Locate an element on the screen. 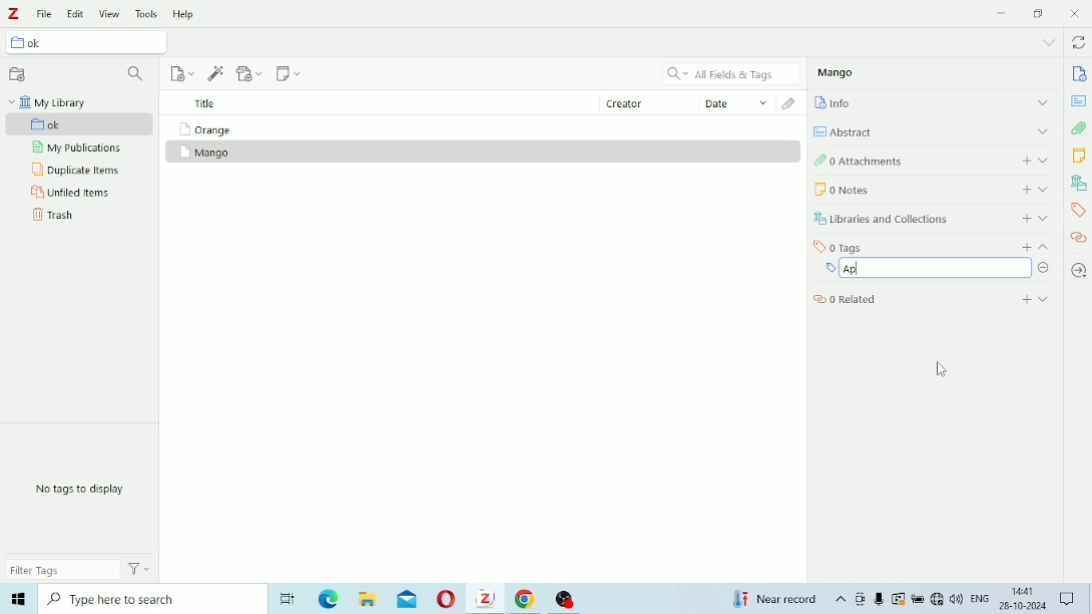  New Item is located at coordinates (183, 73).